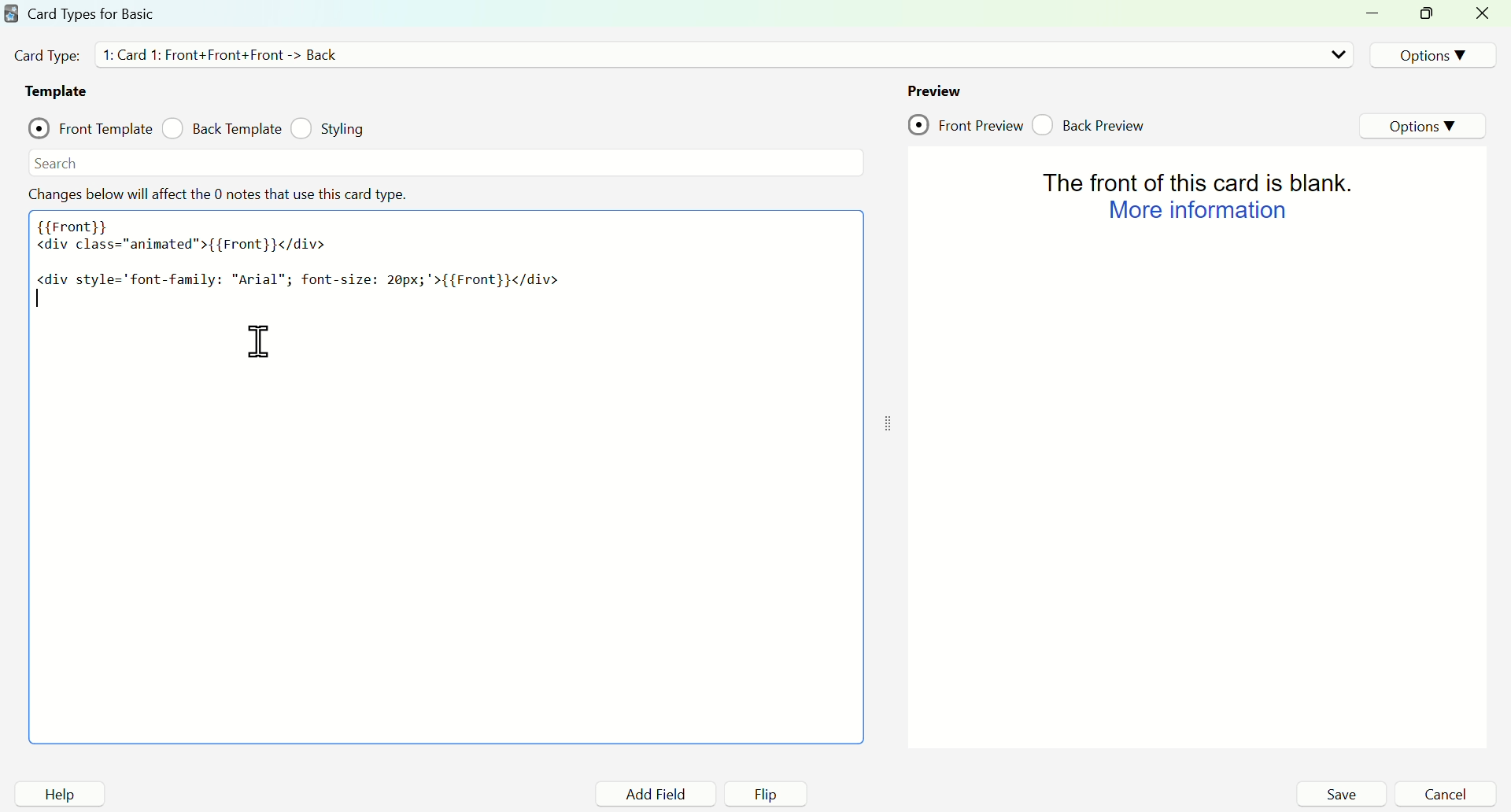 This screenshot has height=812, width=1511. Describe the element at coordinates (300, 252) in the screenshot. I see `code` at that location.